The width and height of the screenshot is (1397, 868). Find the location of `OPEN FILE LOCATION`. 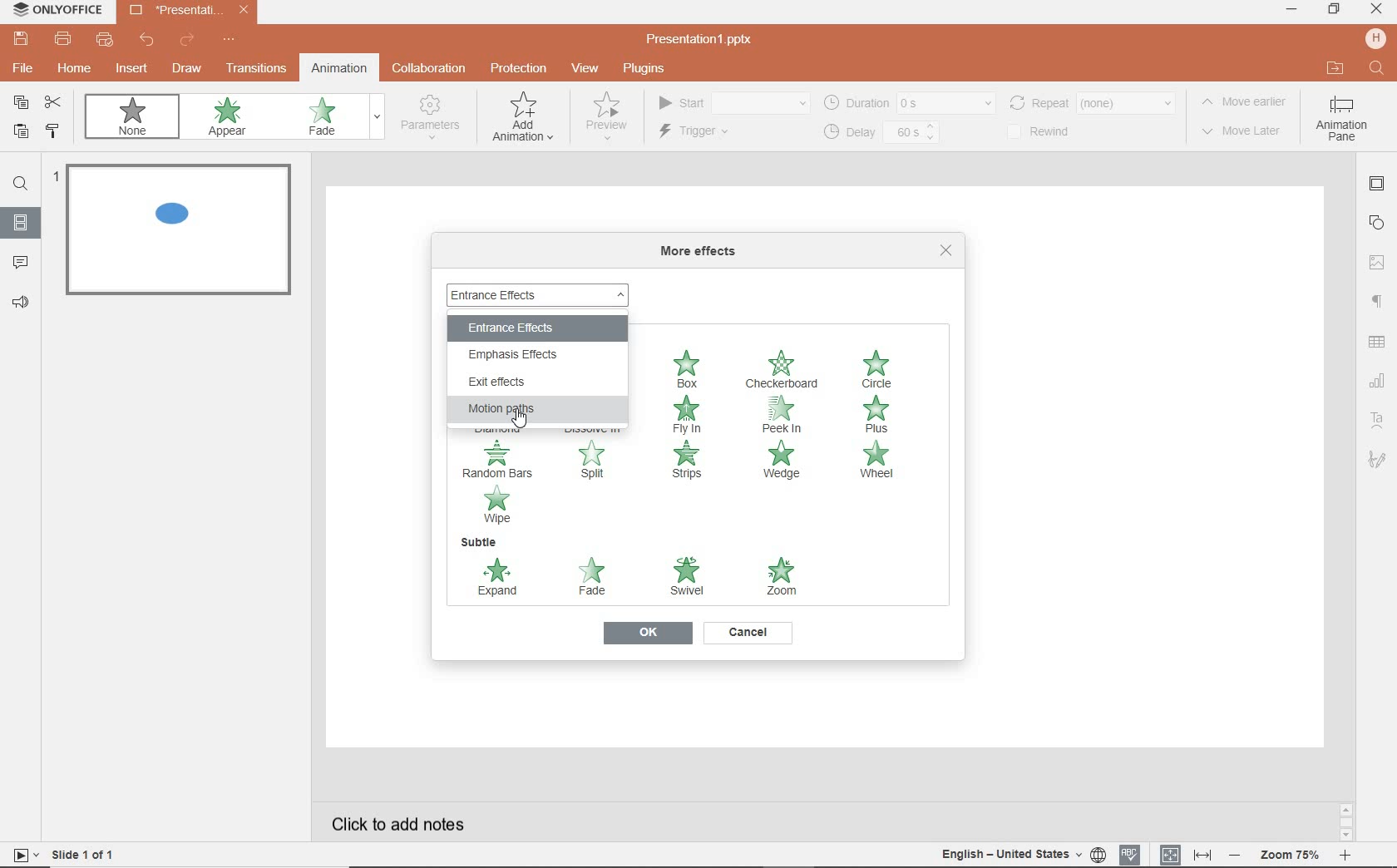

OPEN FILE LOCATION is located at coordinates (1335, 69).